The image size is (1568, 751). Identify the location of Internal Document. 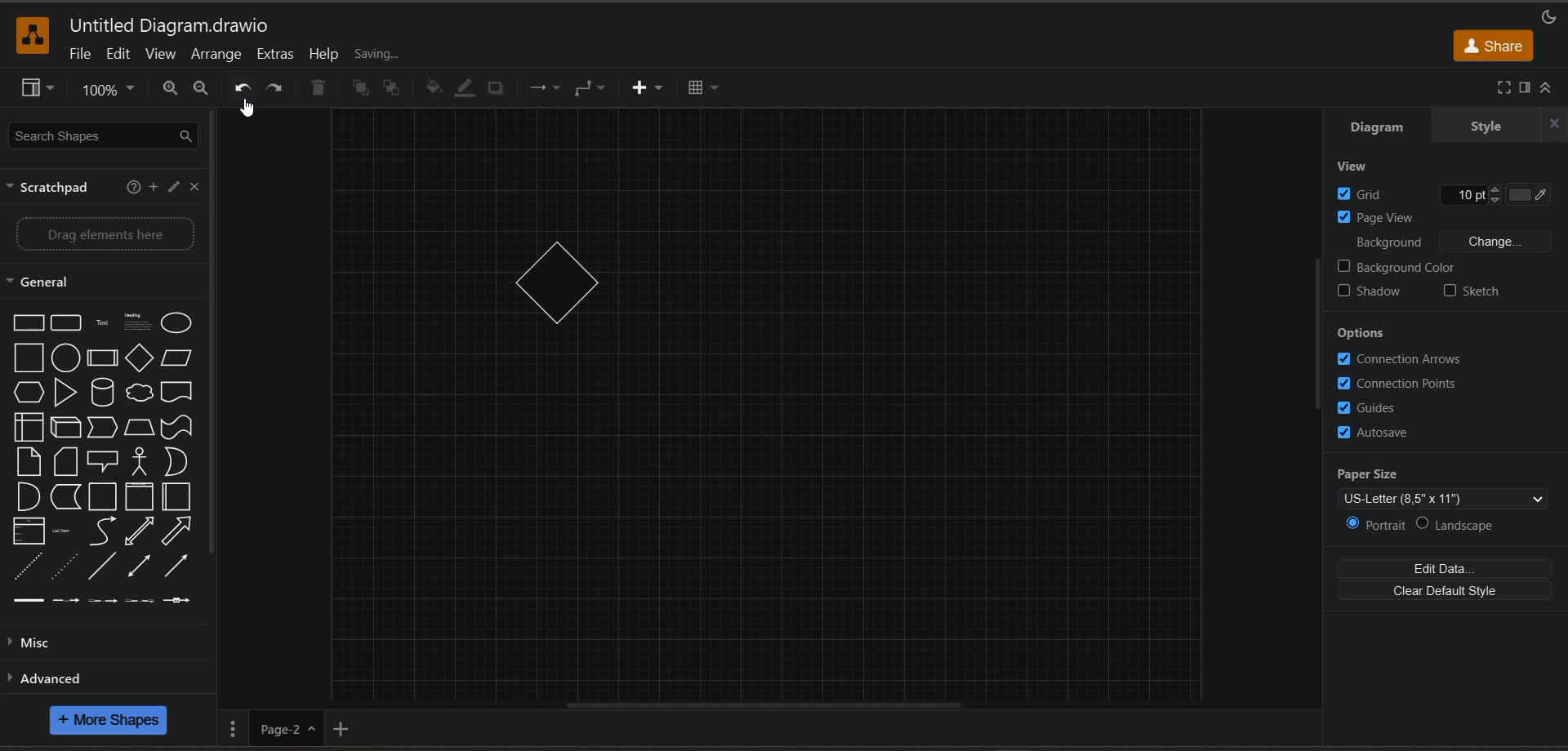
(29, 426).